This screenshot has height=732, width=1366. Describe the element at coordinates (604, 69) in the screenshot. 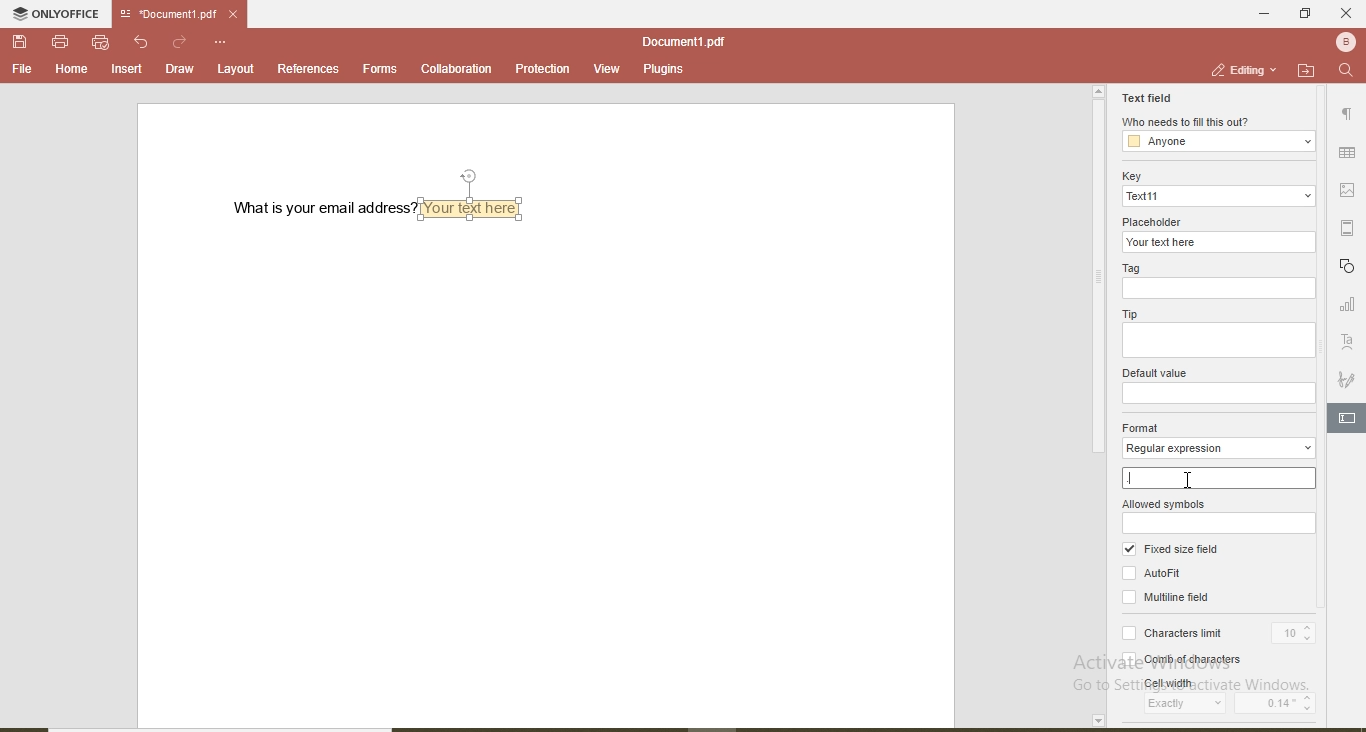

I see `view` at that location.